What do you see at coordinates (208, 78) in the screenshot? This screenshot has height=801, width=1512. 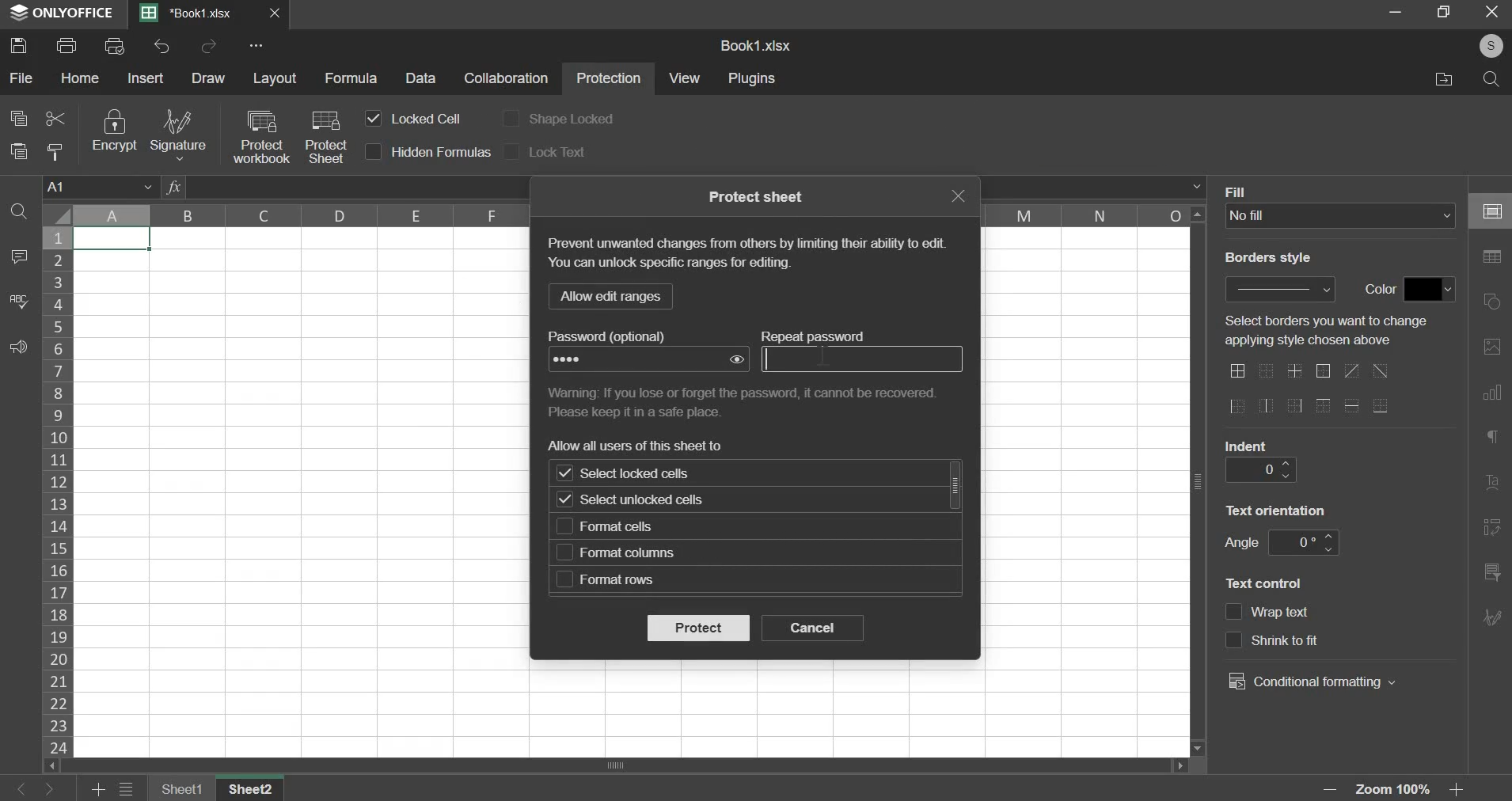 I see `draw` at bounding box center [208, 78].